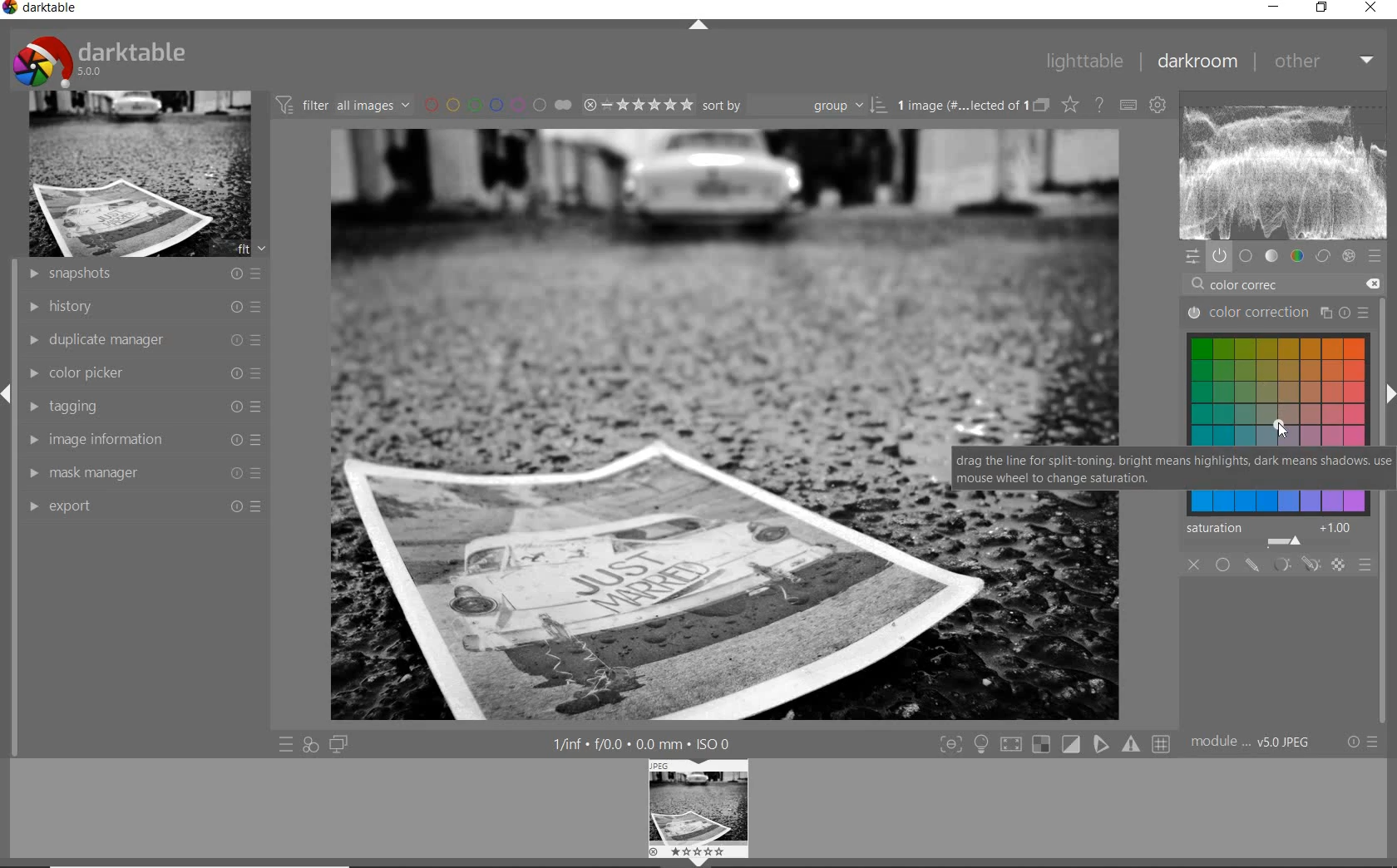 The width and height of the screenshot is (1397, 868). What do you see at coordinates (1196, 59) in the screenshot?
I see `darkroom` at bounding box center [1196, 59].